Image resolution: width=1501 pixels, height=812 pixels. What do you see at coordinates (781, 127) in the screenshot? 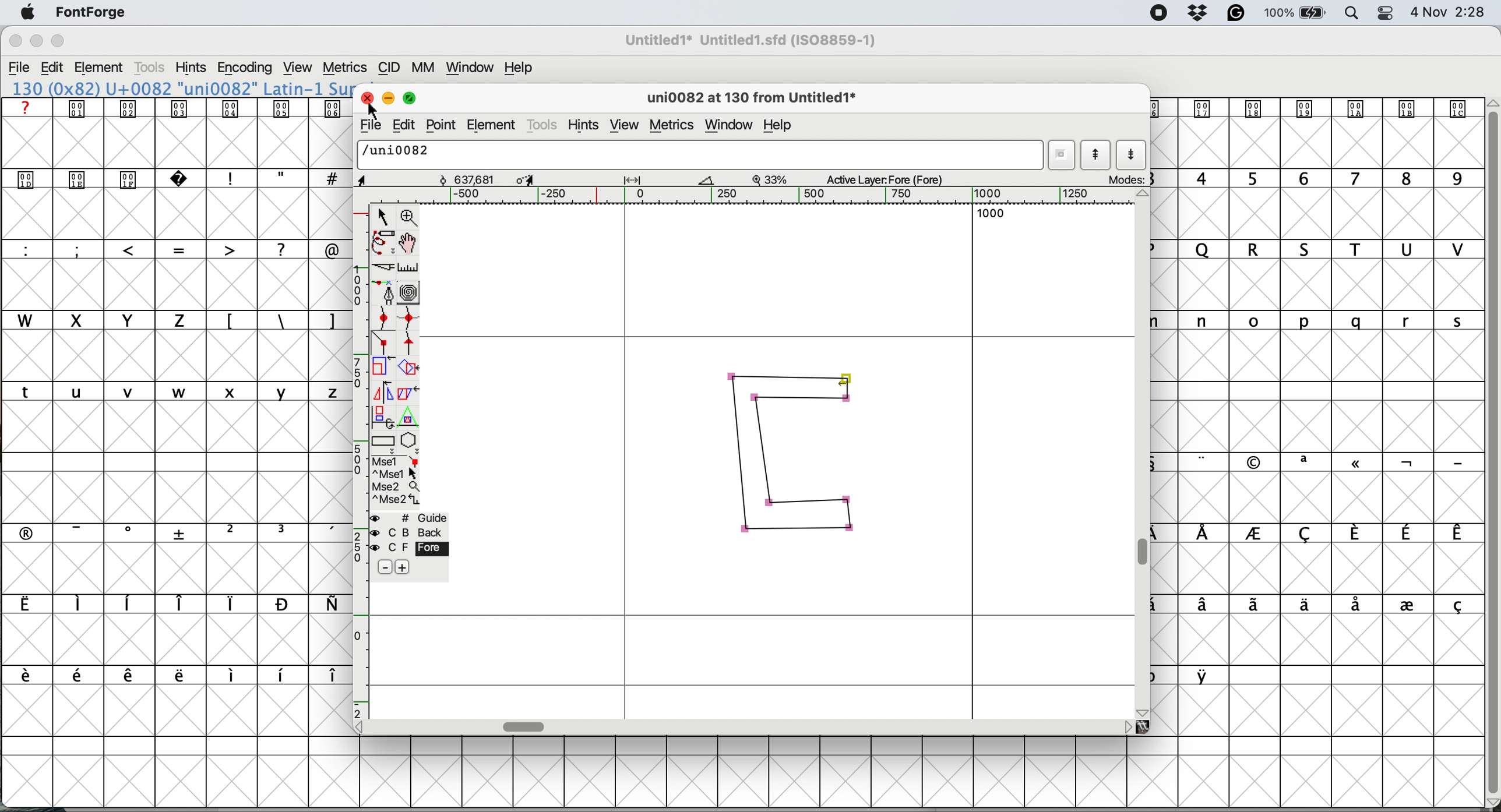
I see `help` at bounding box center [781, 127].